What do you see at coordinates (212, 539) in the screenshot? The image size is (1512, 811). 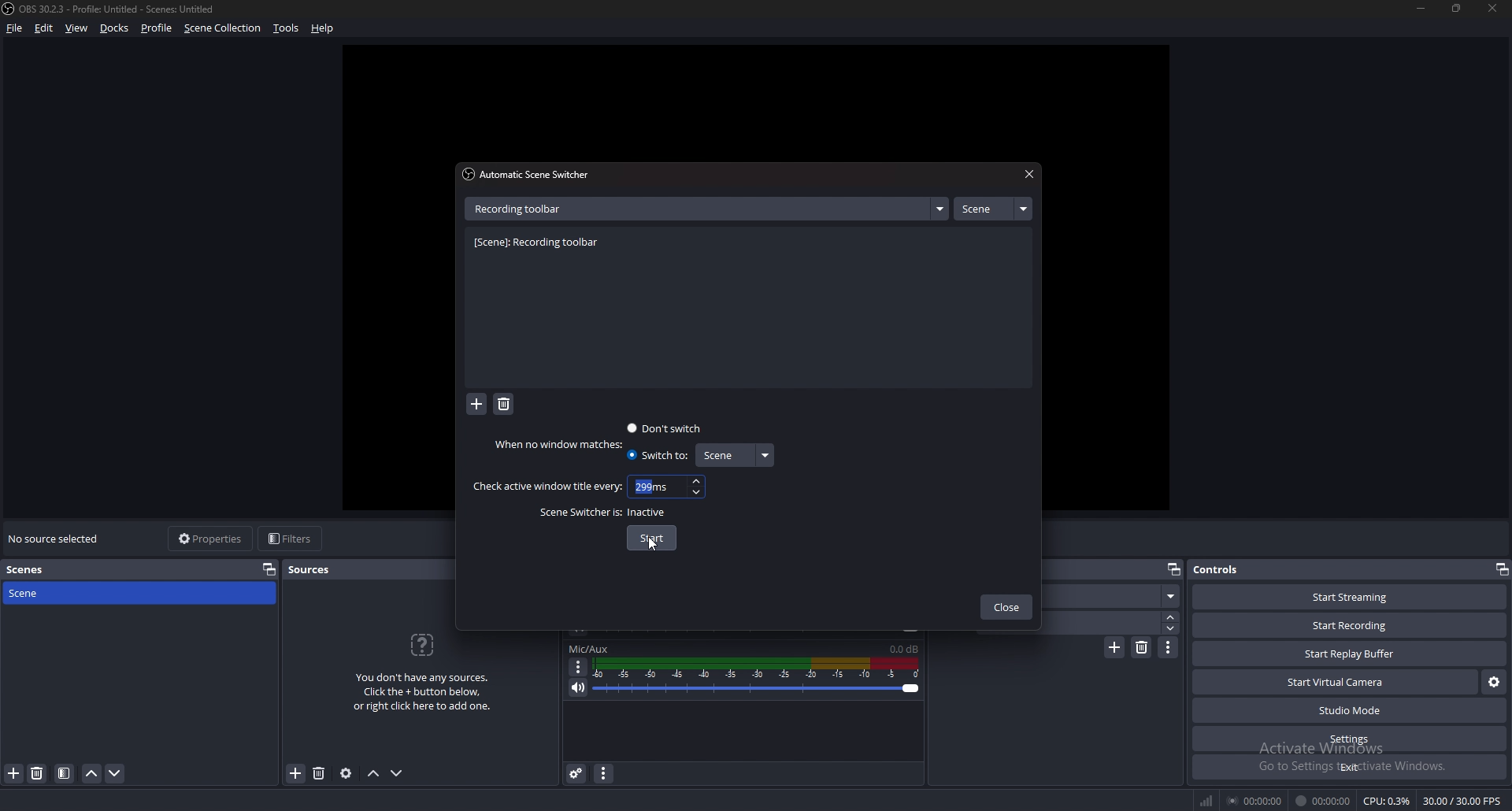 I see `properties` at bounding box center [212, 539].